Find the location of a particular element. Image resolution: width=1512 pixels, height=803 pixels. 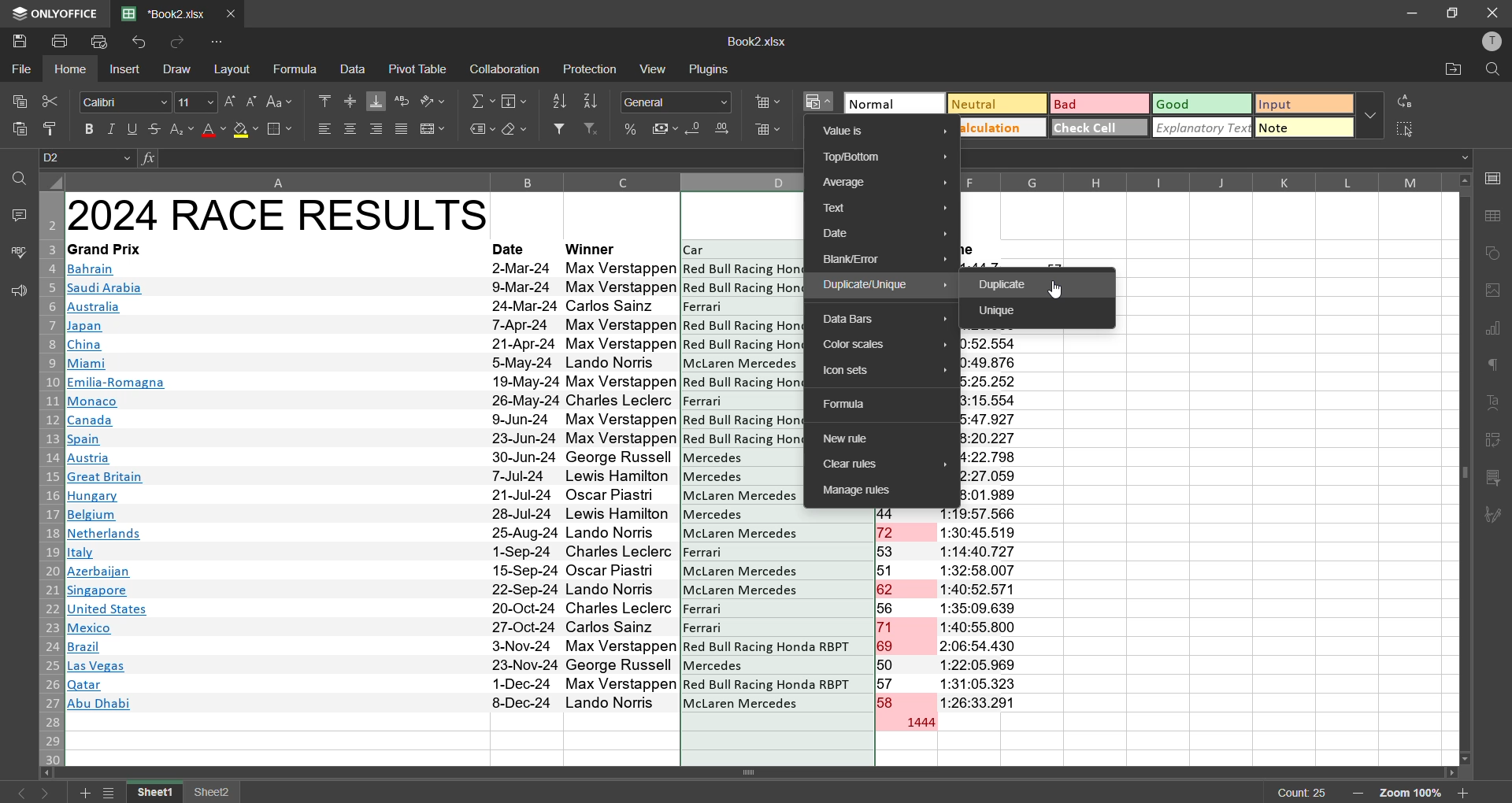

spellcheck is located at coordinates (17, 254).